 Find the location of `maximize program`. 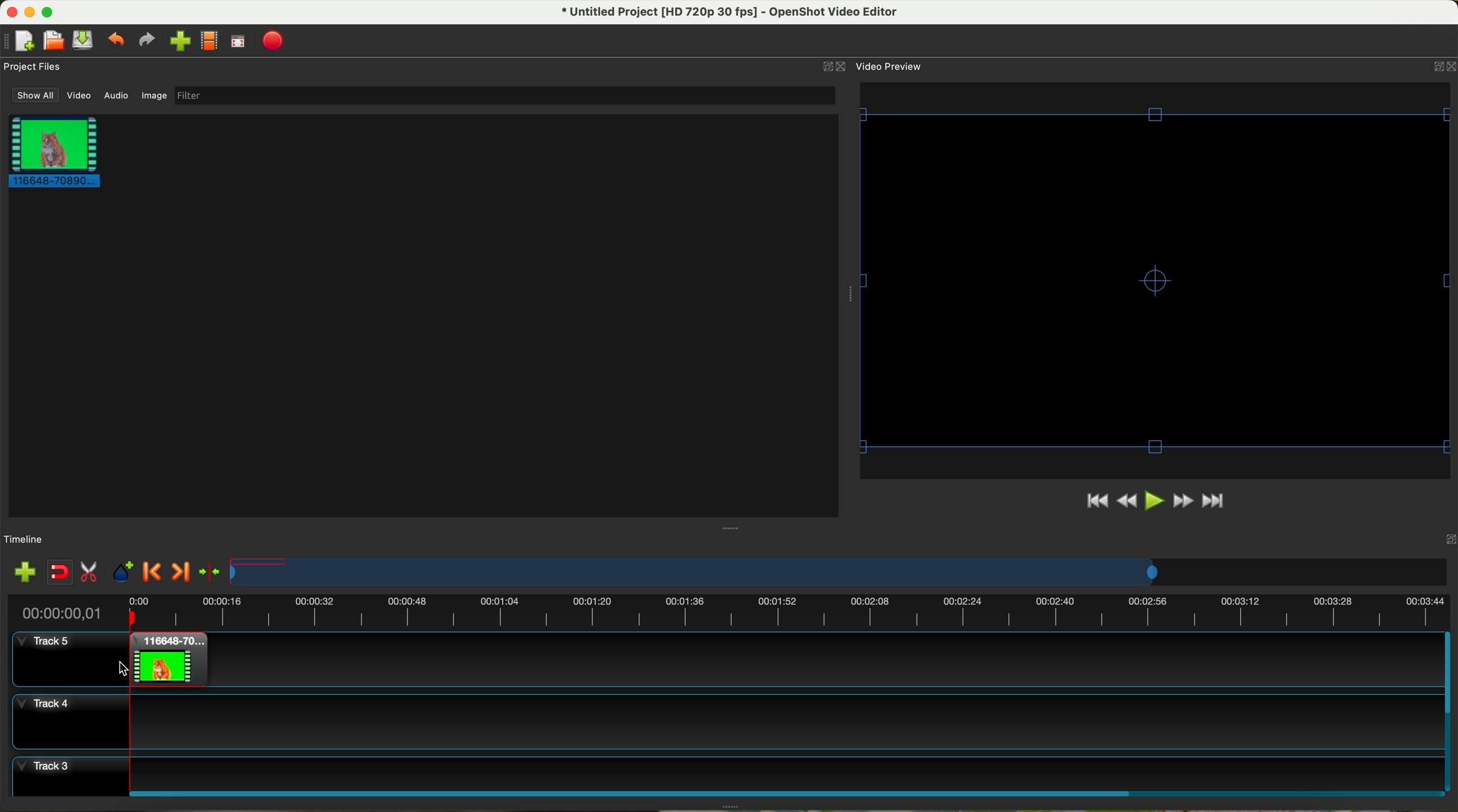

maximize program is located at coordinates (49, 12).